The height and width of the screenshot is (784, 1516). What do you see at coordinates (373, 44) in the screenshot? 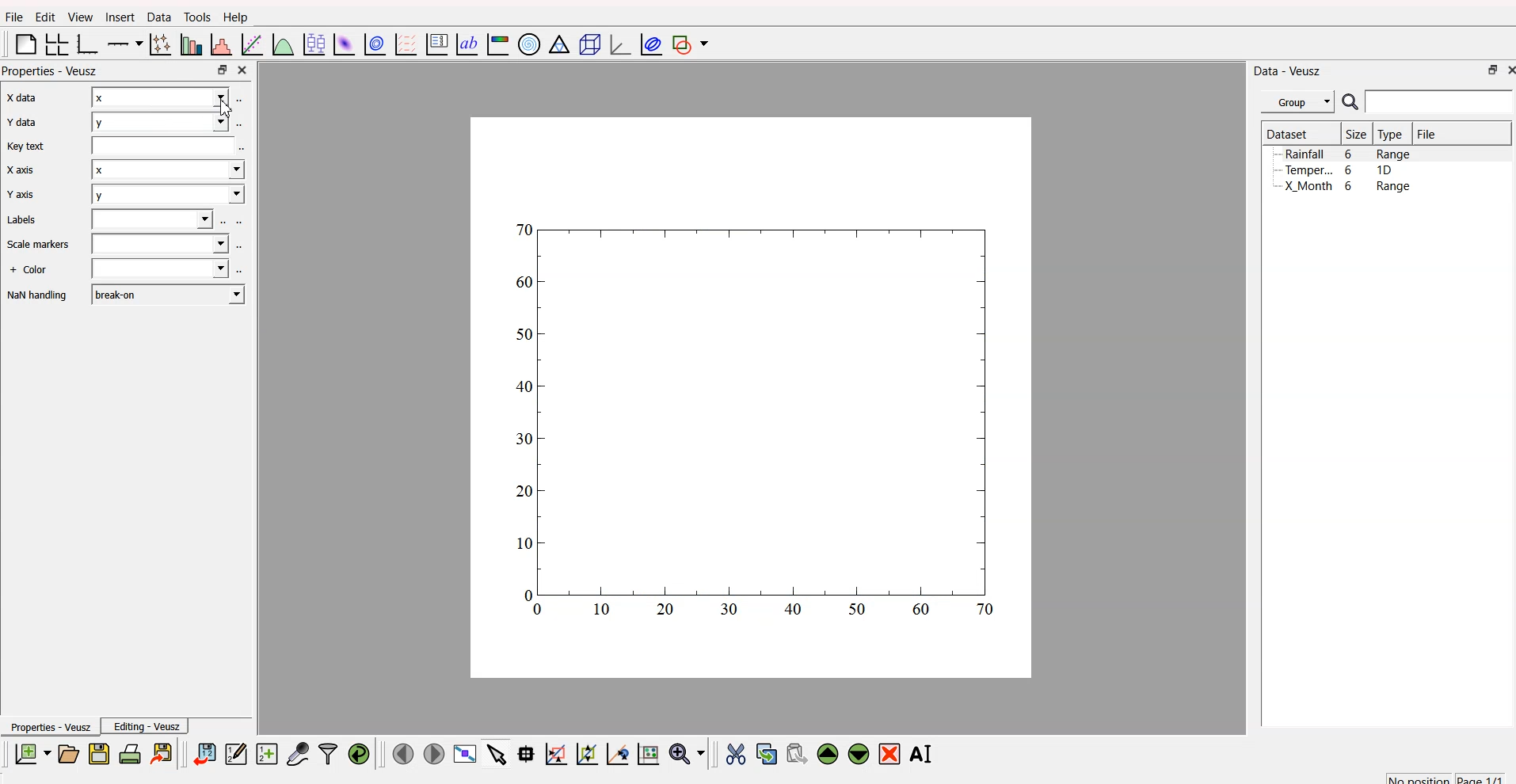
I see `plot data` at bounding box center [373, 44].